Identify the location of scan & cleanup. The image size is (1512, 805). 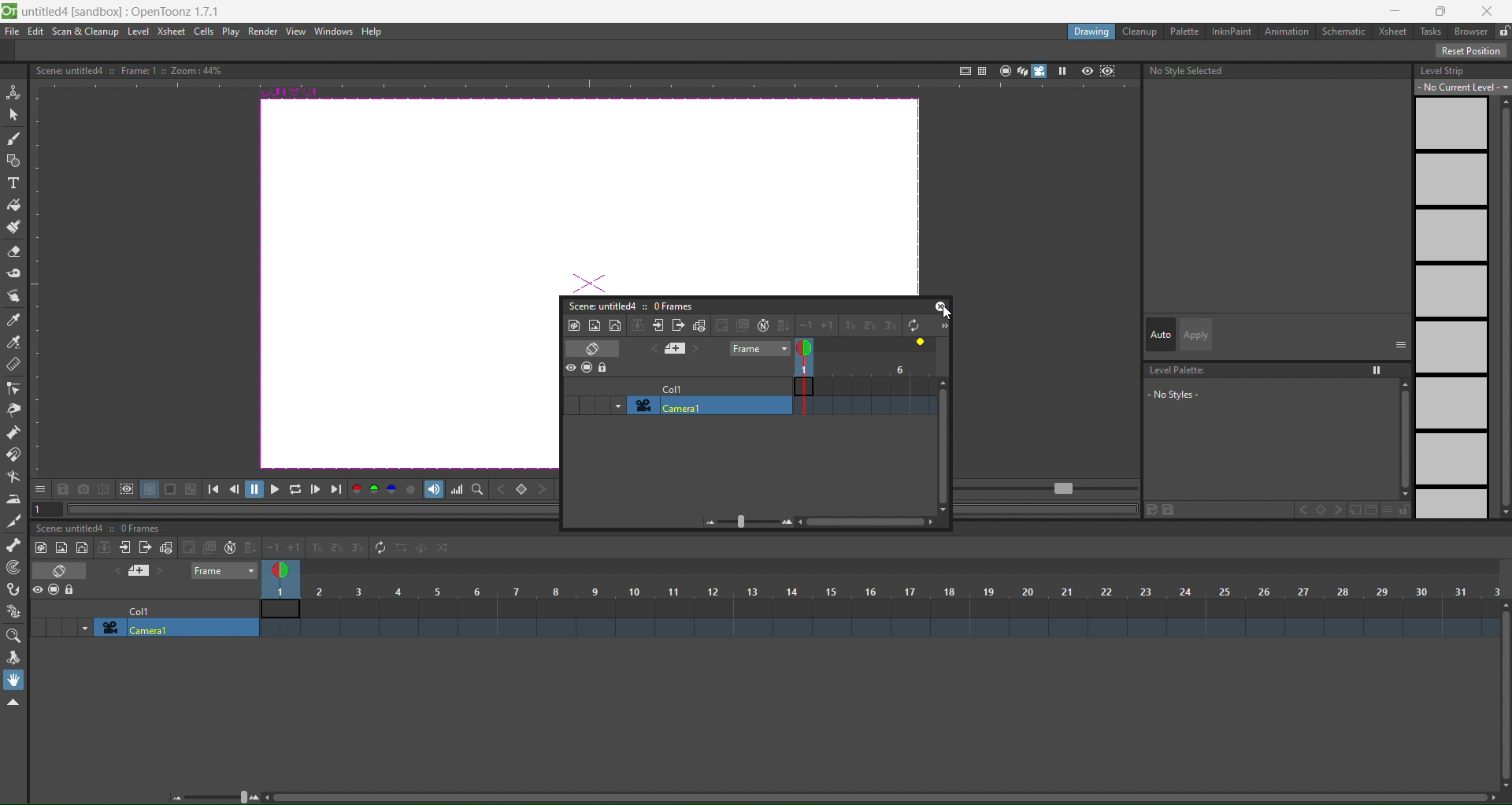
(86, 32).